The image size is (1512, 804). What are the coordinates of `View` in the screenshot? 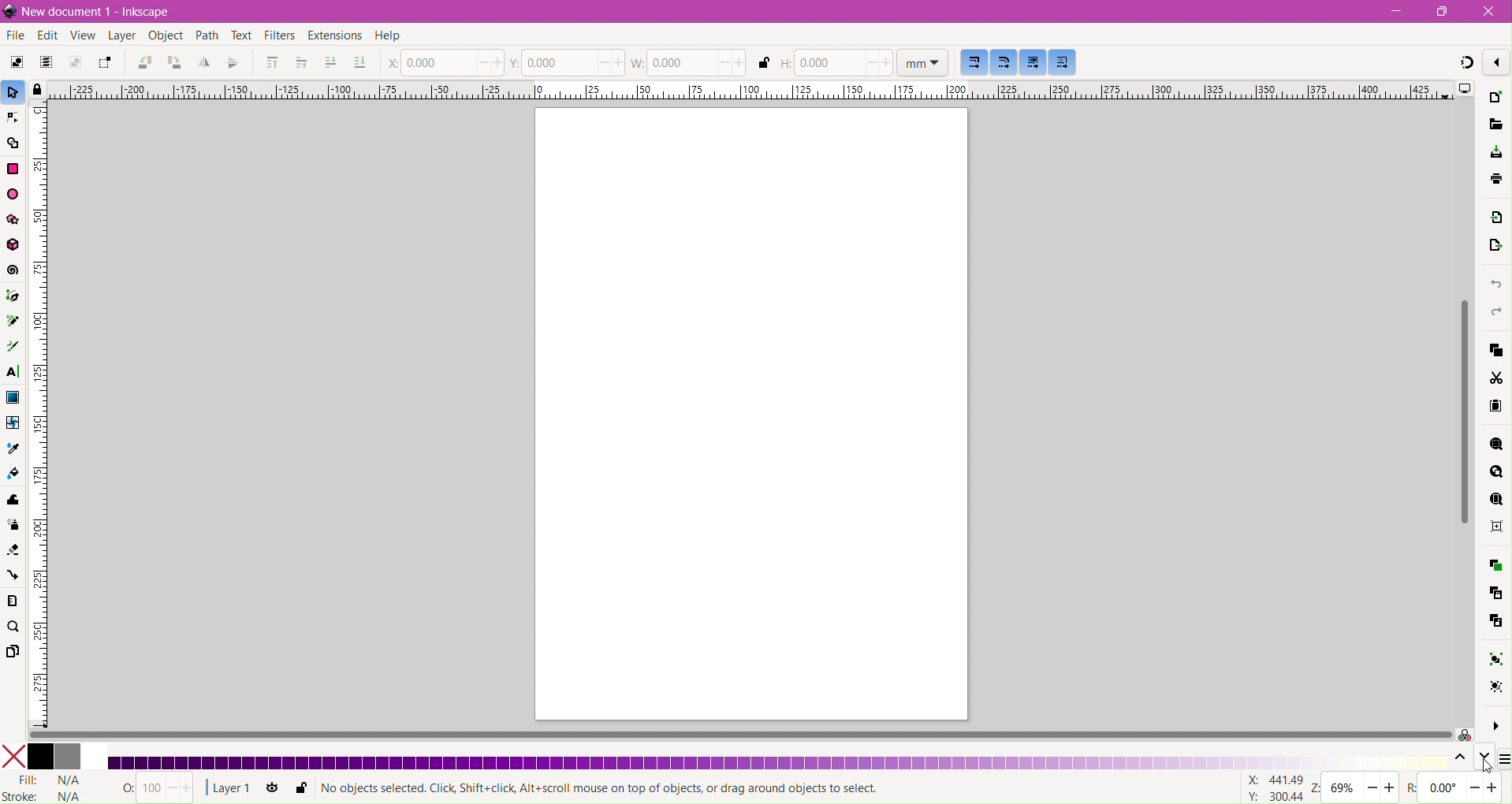 It's located at (80, 35).